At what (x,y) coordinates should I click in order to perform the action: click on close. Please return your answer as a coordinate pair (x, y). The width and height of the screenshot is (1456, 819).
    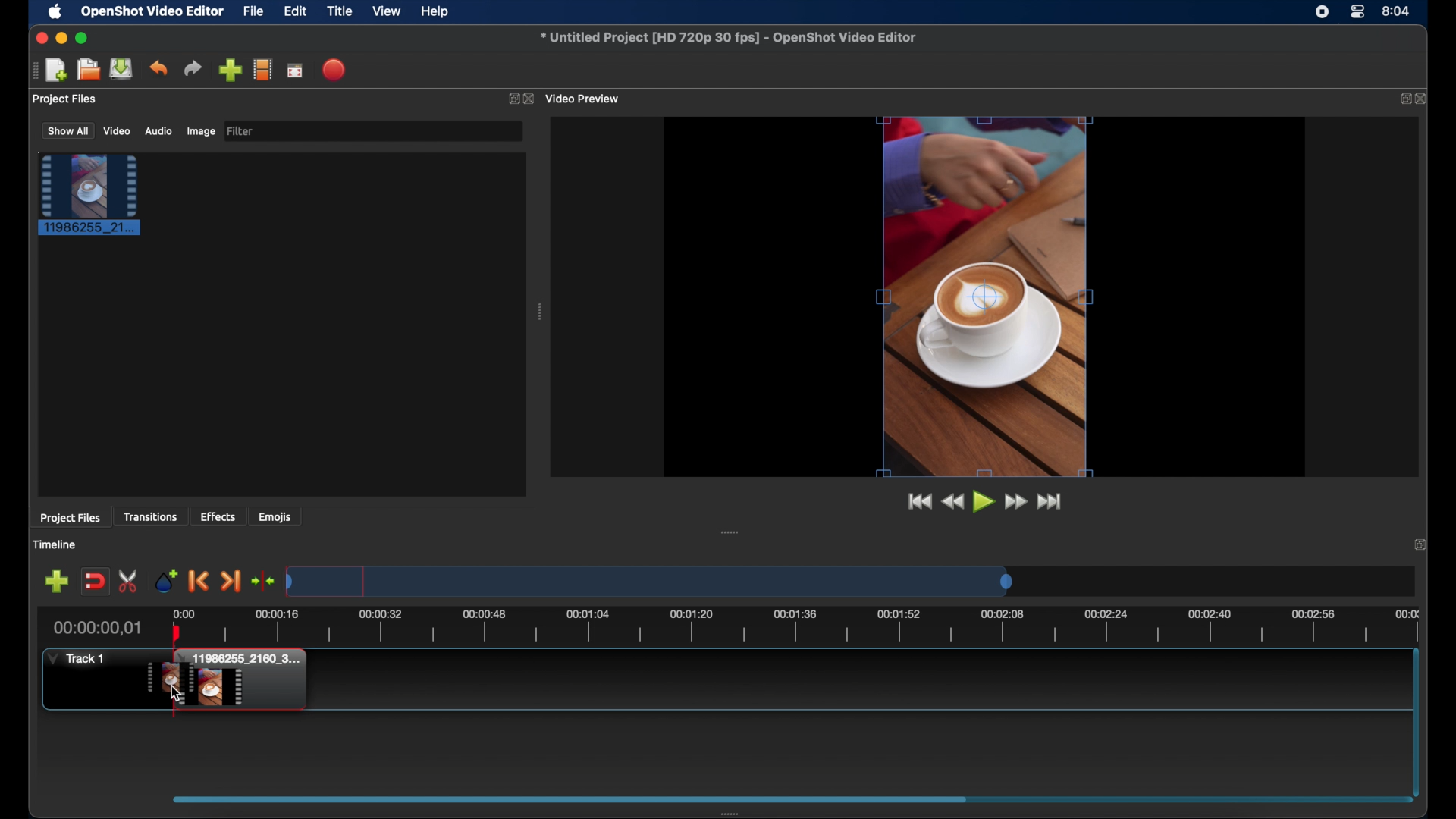
    Looking at the image, I should click on (1418, 544).